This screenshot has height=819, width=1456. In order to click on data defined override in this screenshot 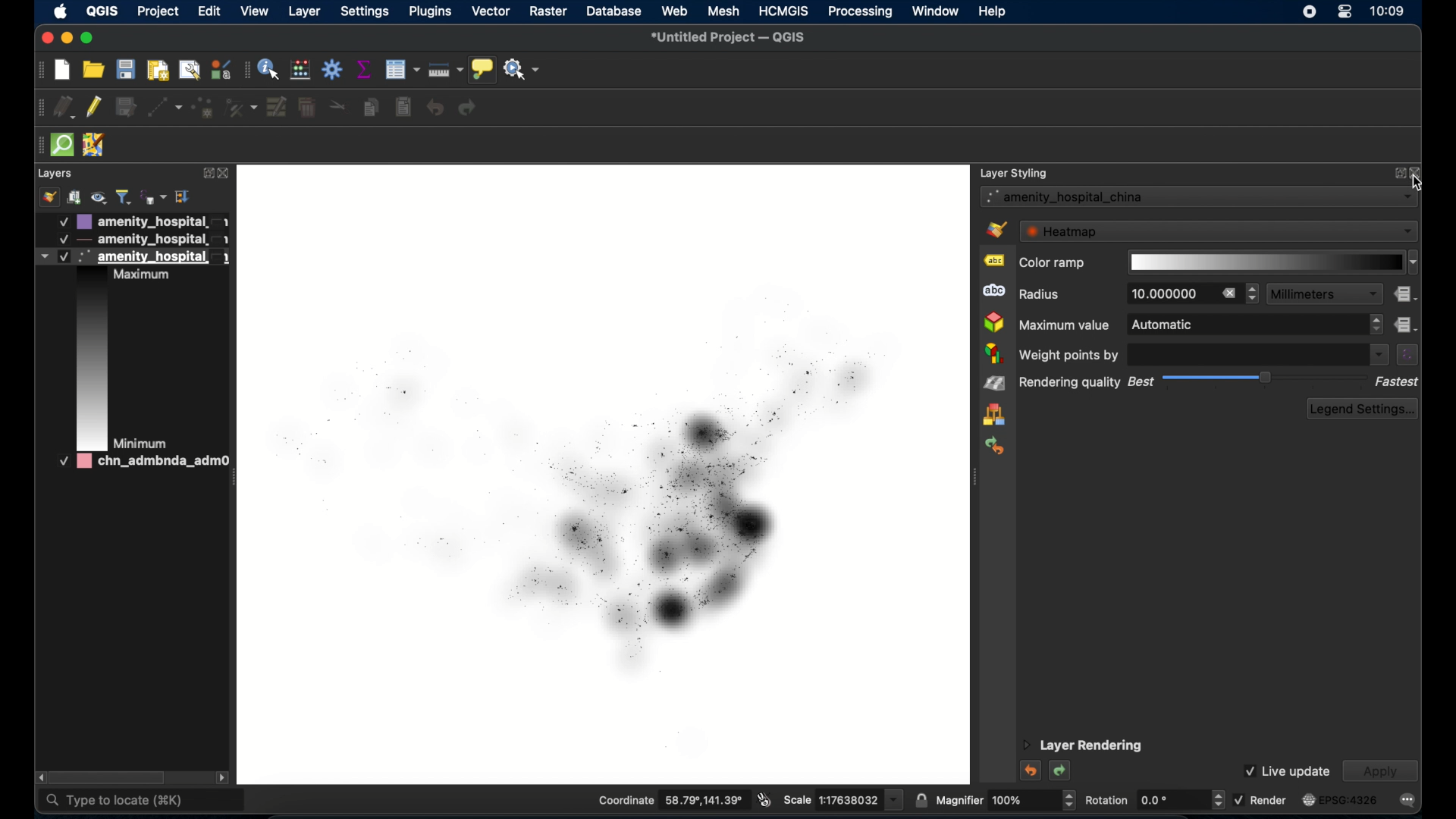, I will do `click(1405, 294)`.